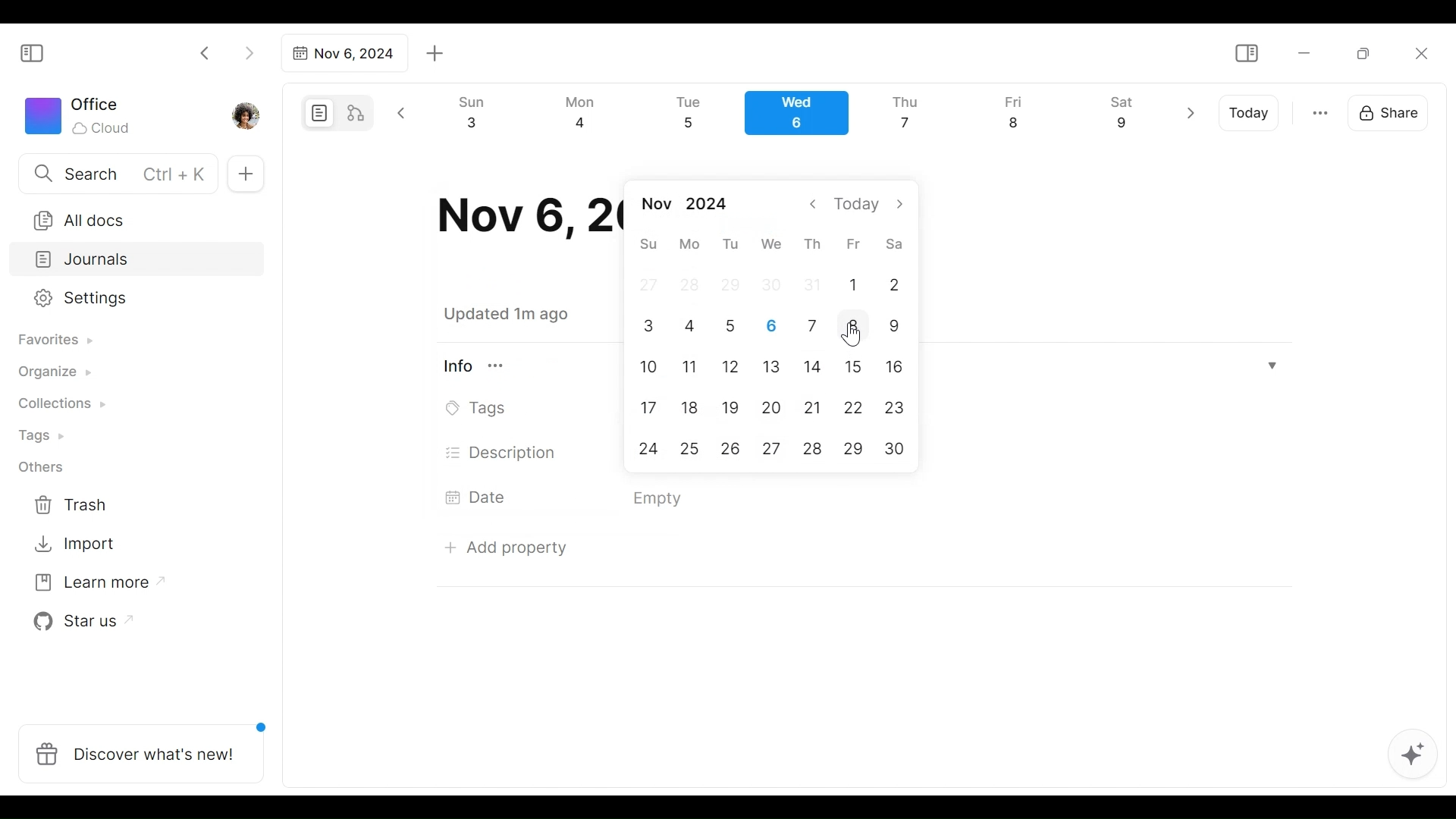 The height and width of the screenshot is (819, 1456). What do you see at coordinates (53, 373) in the screenshot?
I see `Organize` at bounding box center [53, 373].